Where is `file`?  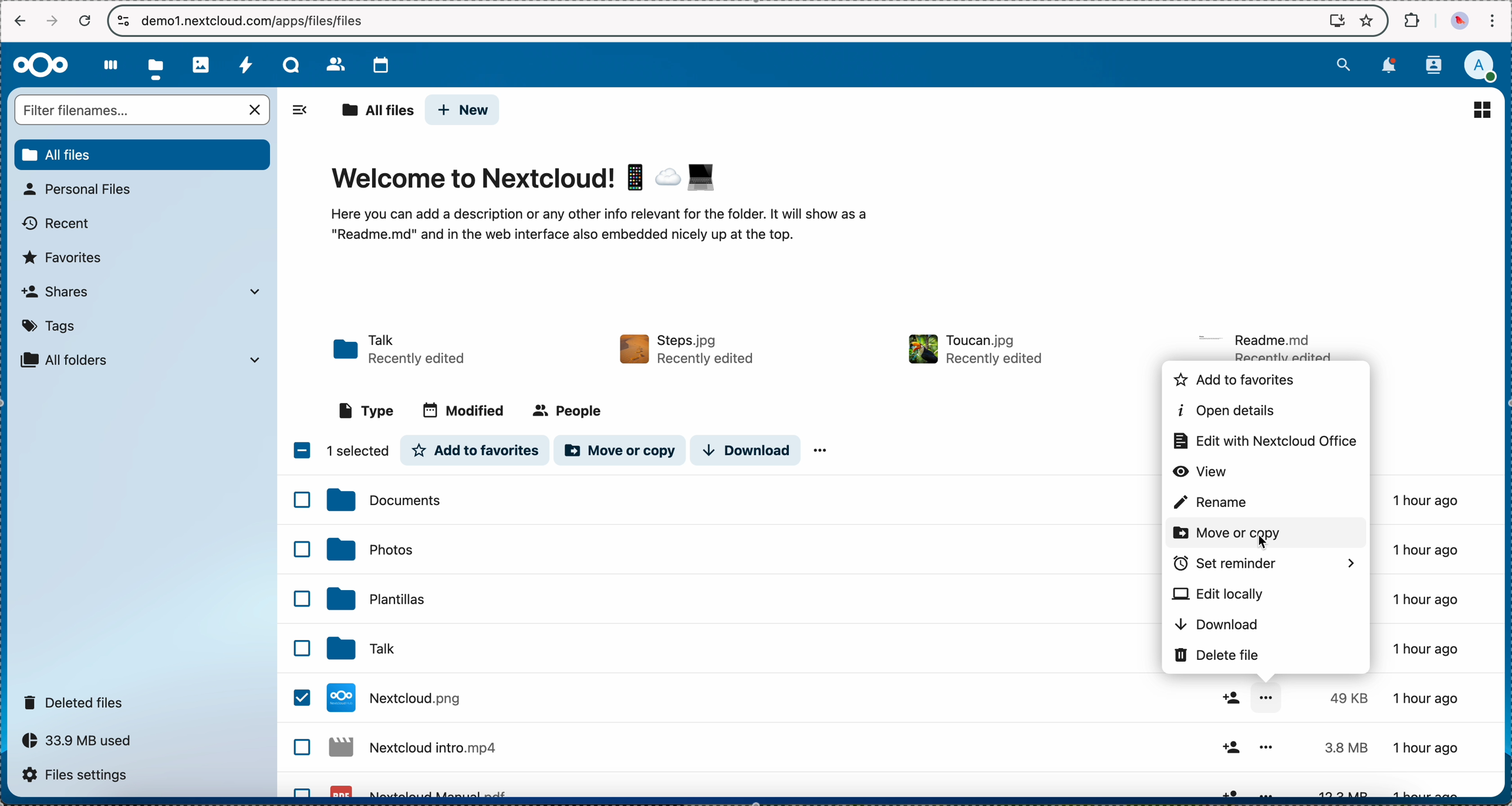
file is located at coordinates (689, 350).